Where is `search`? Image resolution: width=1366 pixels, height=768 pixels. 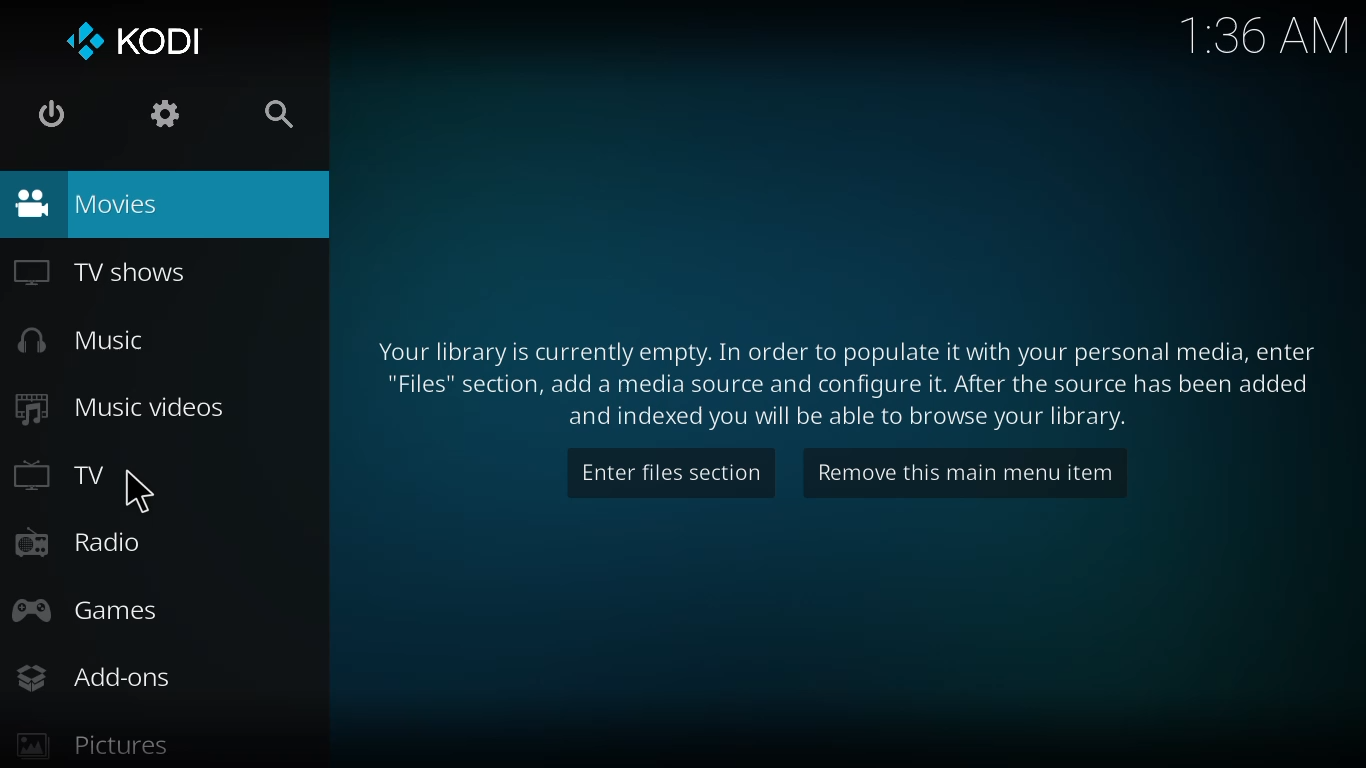
search is located at coordinates (270, 115).